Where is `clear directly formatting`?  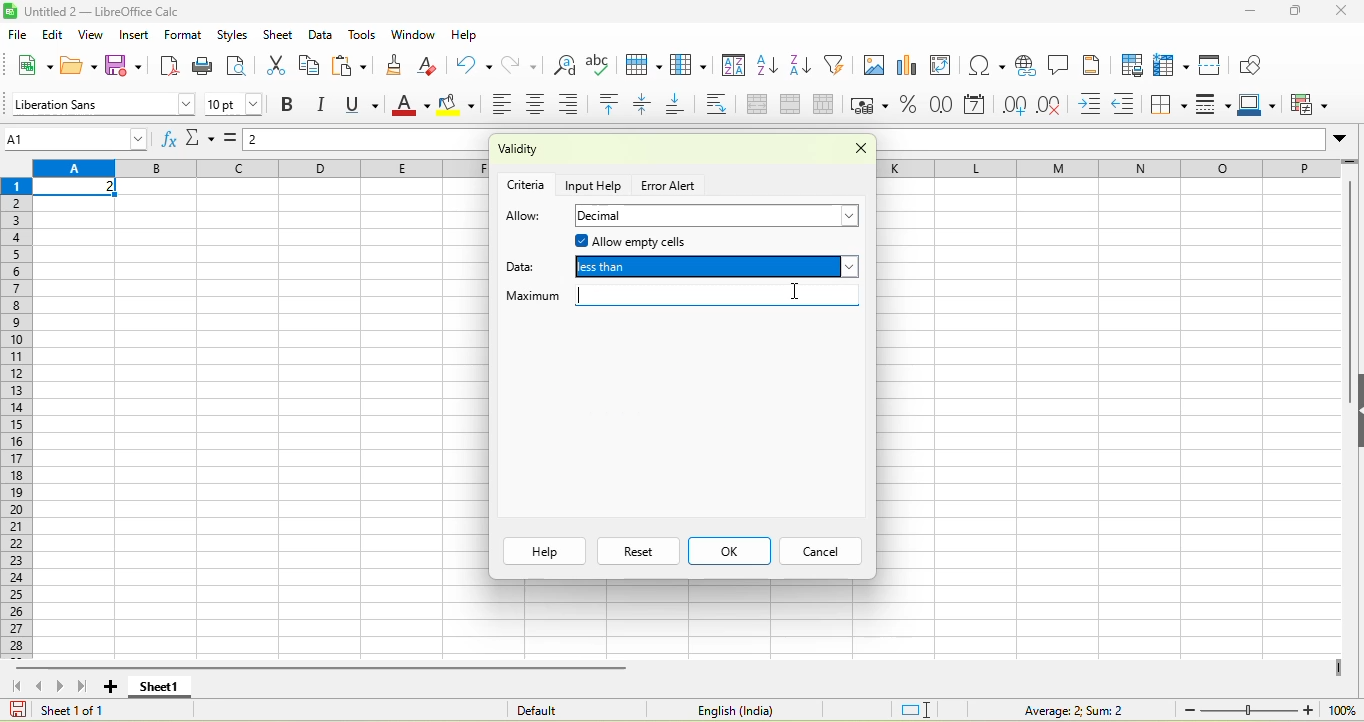
clear directly formatting is located at coordinates (432, 66).